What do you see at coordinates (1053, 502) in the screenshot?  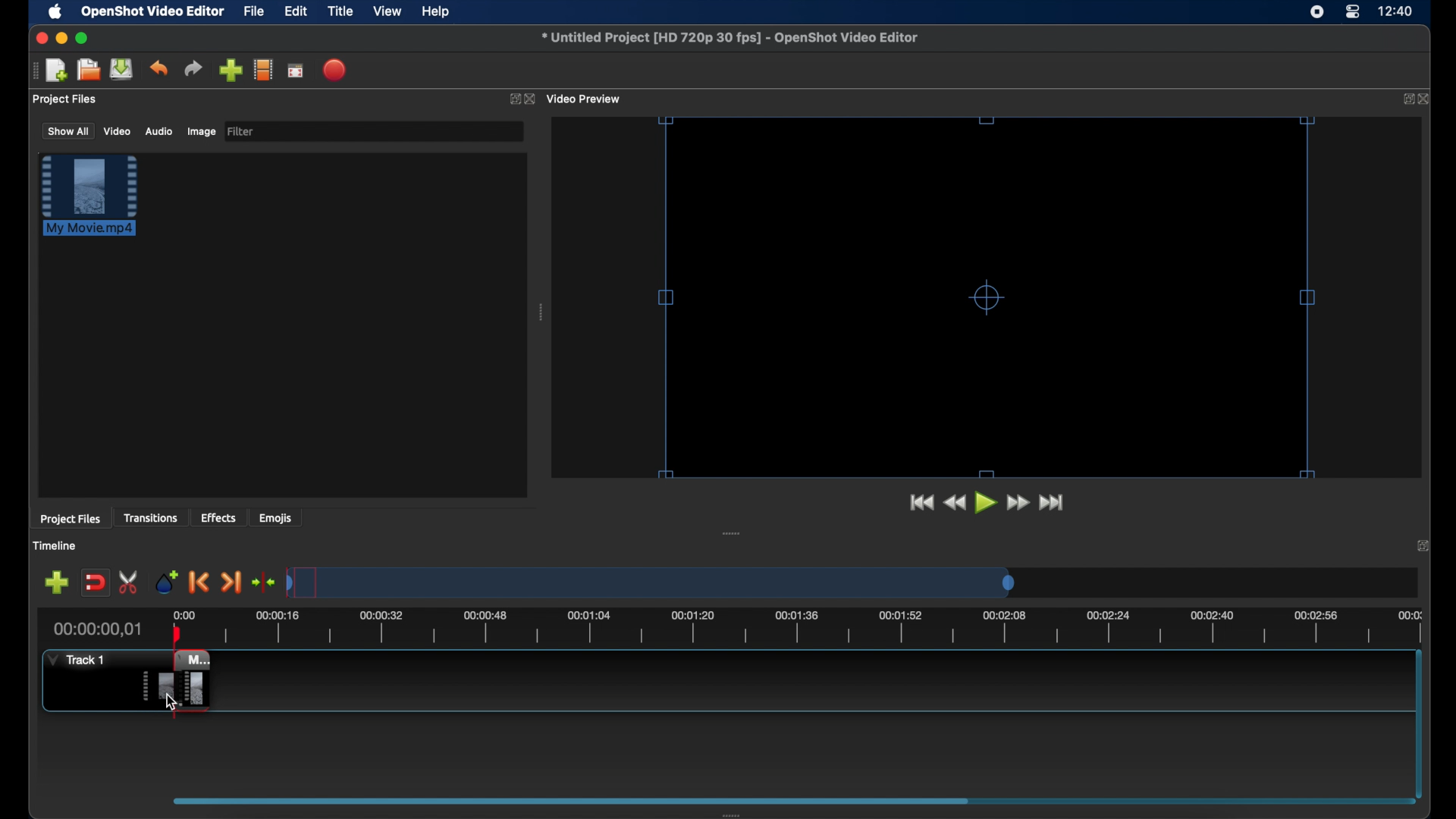 I see `jump to start` at bounding box center [1053, 502].